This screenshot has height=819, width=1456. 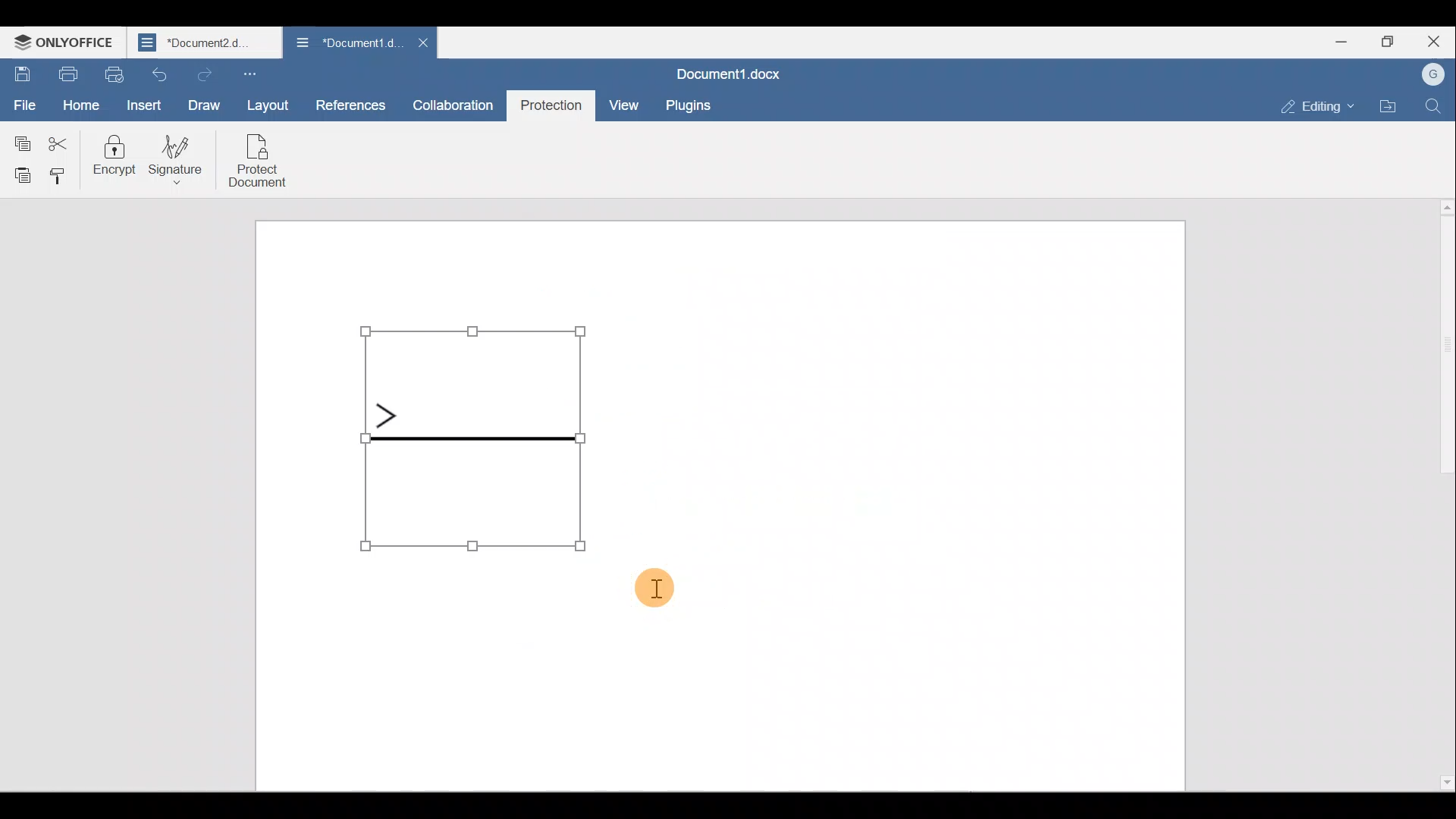 What do you see at coordinates (265, 102) in the screenshot?
I see `Layout` at bounding box center [265, 102].